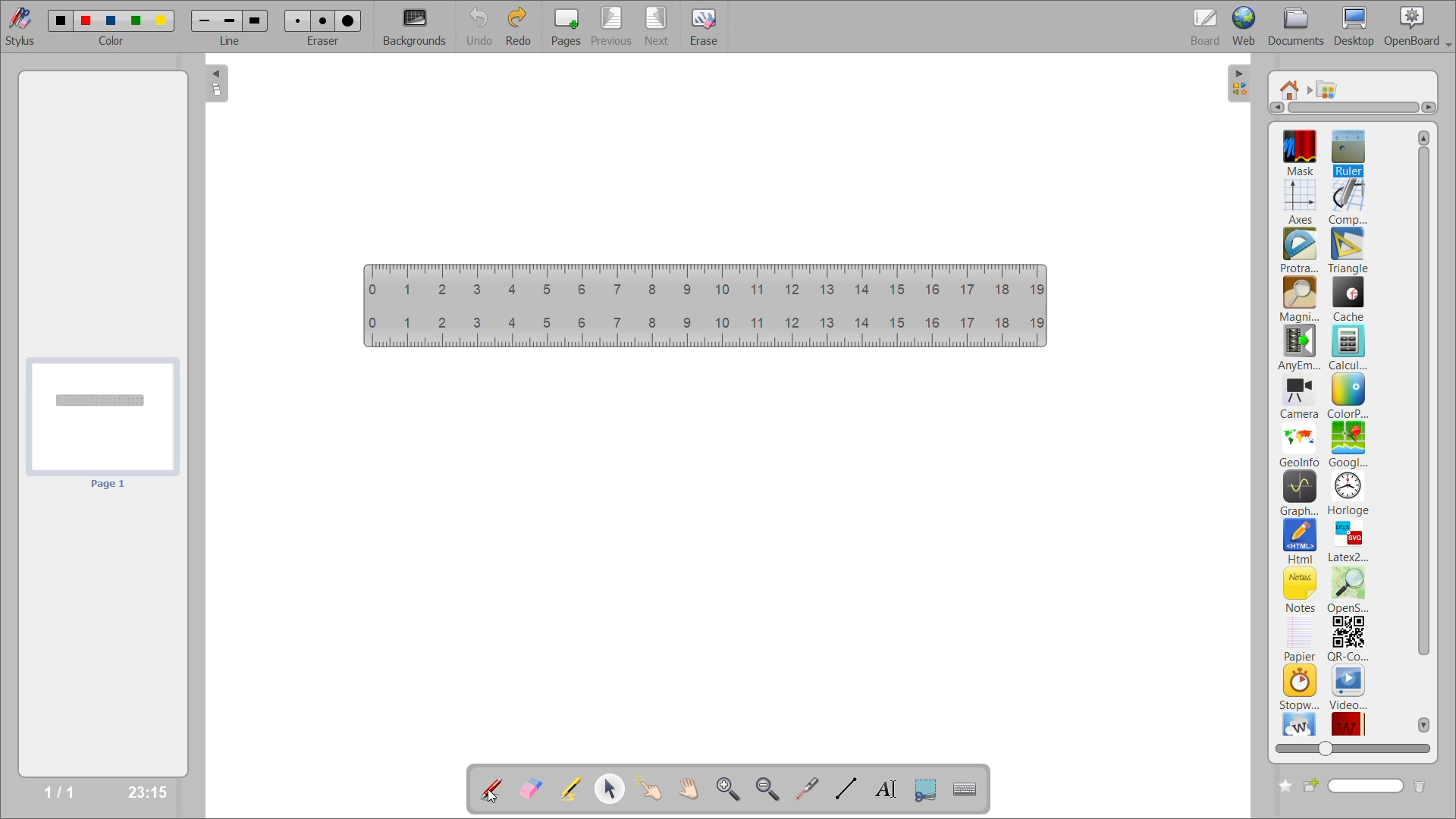  Describe the element at coordinates (710, 27) in the screenshot. I see `erase` at that location.